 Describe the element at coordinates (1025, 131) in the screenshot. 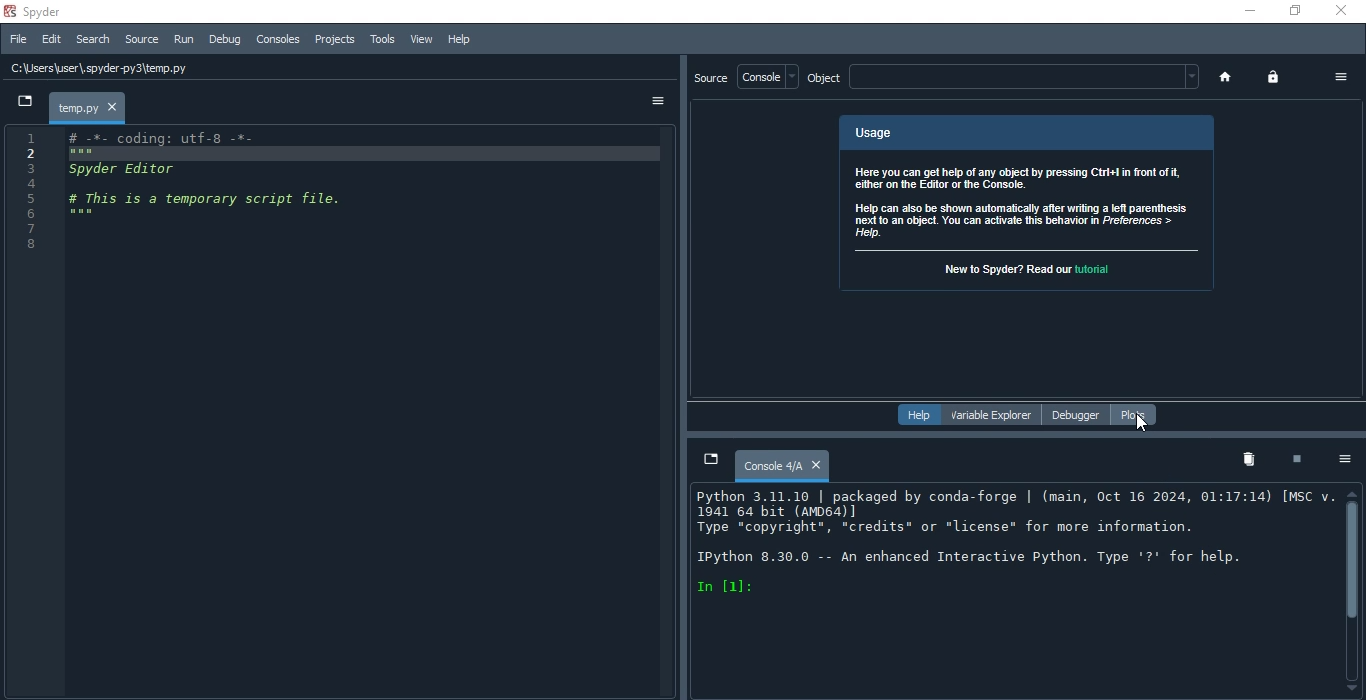

I see `usage` at that location.